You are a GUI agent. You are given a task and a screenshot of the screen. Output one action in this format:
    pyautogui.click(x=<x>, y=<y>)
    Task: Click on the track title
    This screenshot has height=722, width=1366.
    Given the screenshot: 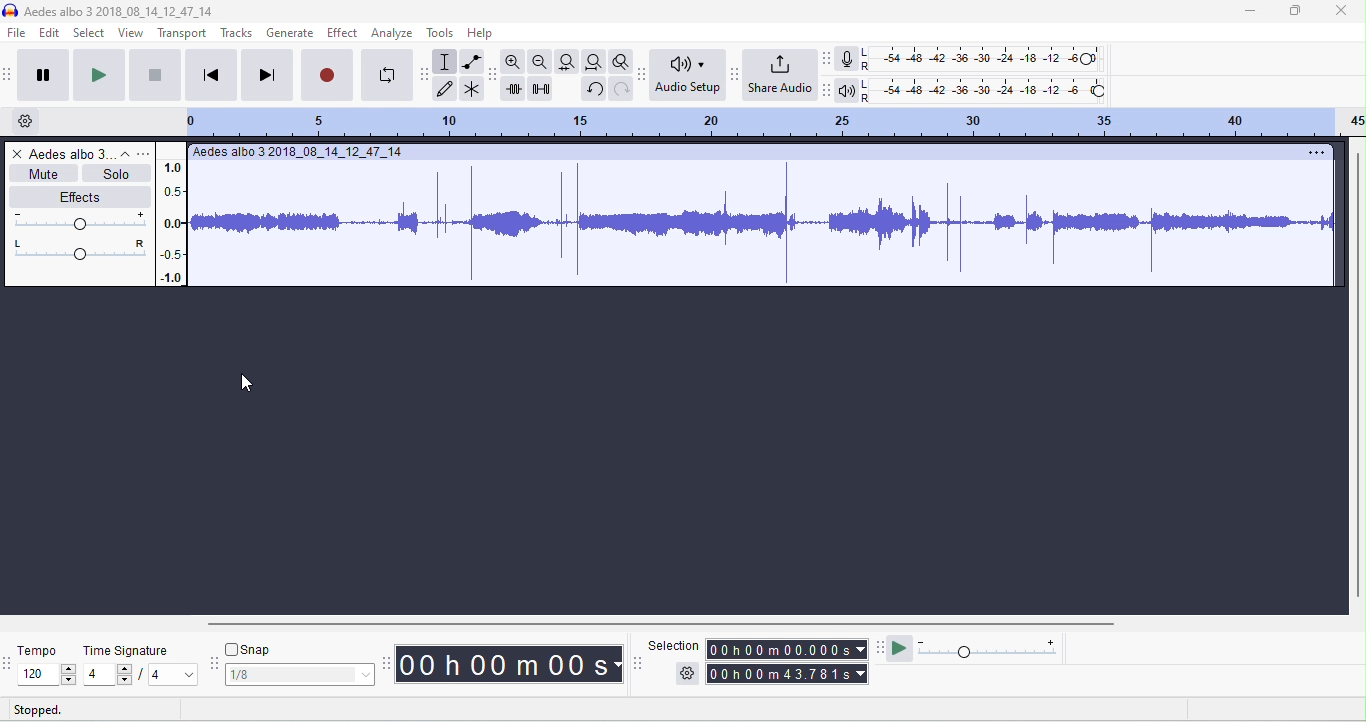 What is the action you would take?
    pyautogui.click(x=300, y=153)
    